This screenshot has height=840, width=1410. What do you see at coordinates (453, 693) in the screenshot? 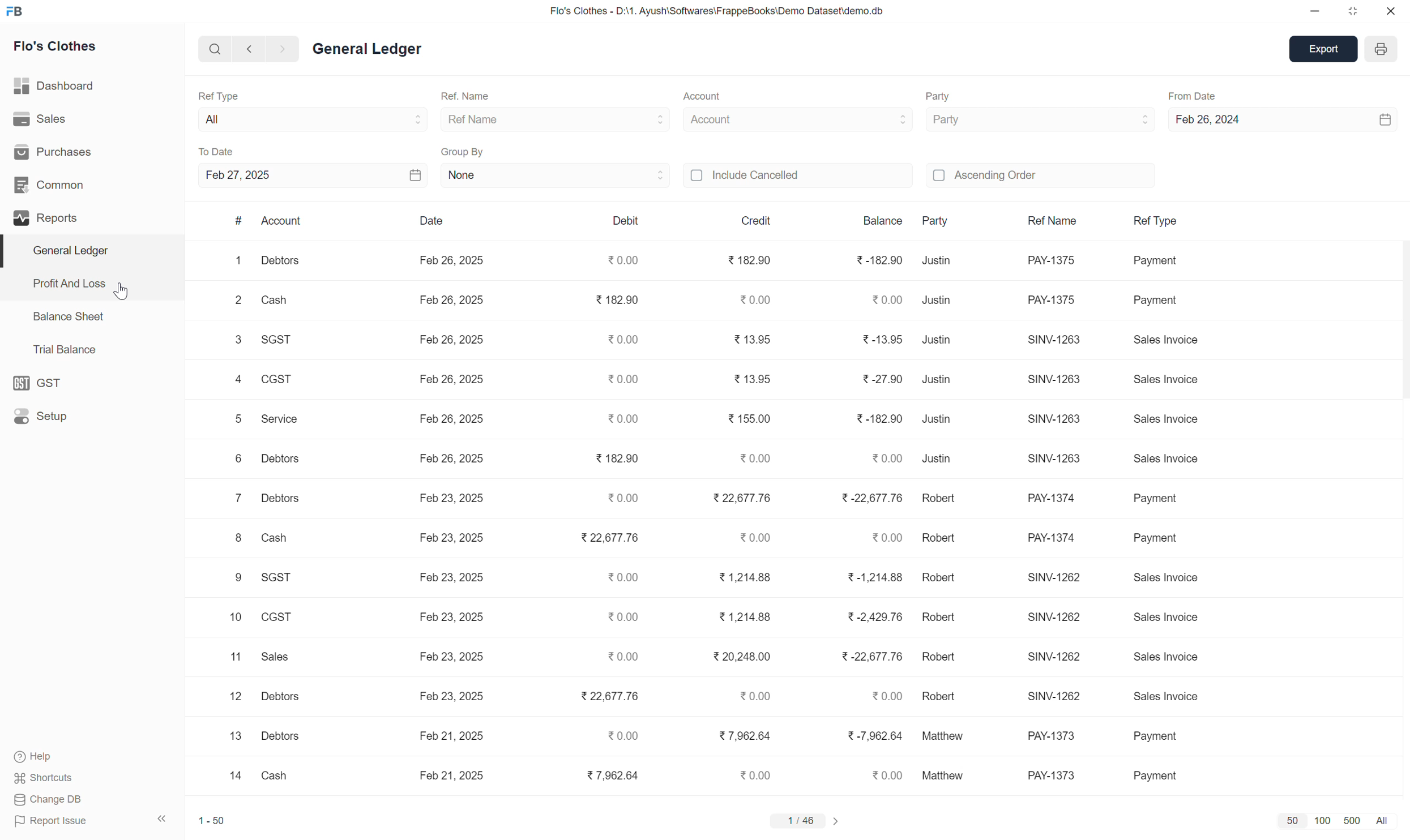
I see `Feb 23, 2025` at bounding box center [453, 693].